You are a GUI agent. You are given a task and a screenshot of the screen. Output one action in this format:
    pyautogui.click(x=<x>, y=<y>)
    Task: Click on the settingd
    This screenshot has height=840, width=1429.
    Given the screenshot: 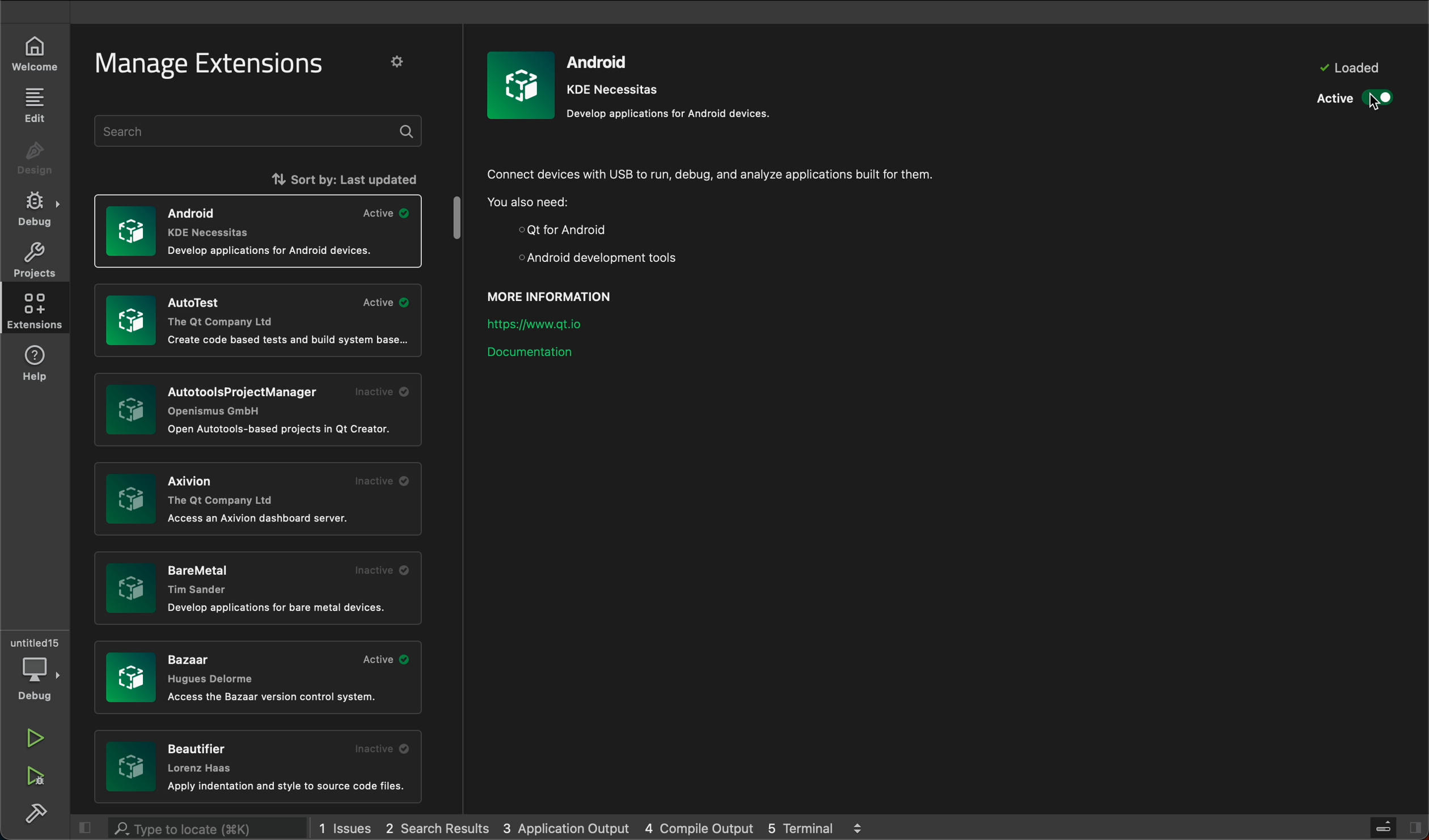 What is the action you would take?
    pyautogui.click(x=403, y=63)
    